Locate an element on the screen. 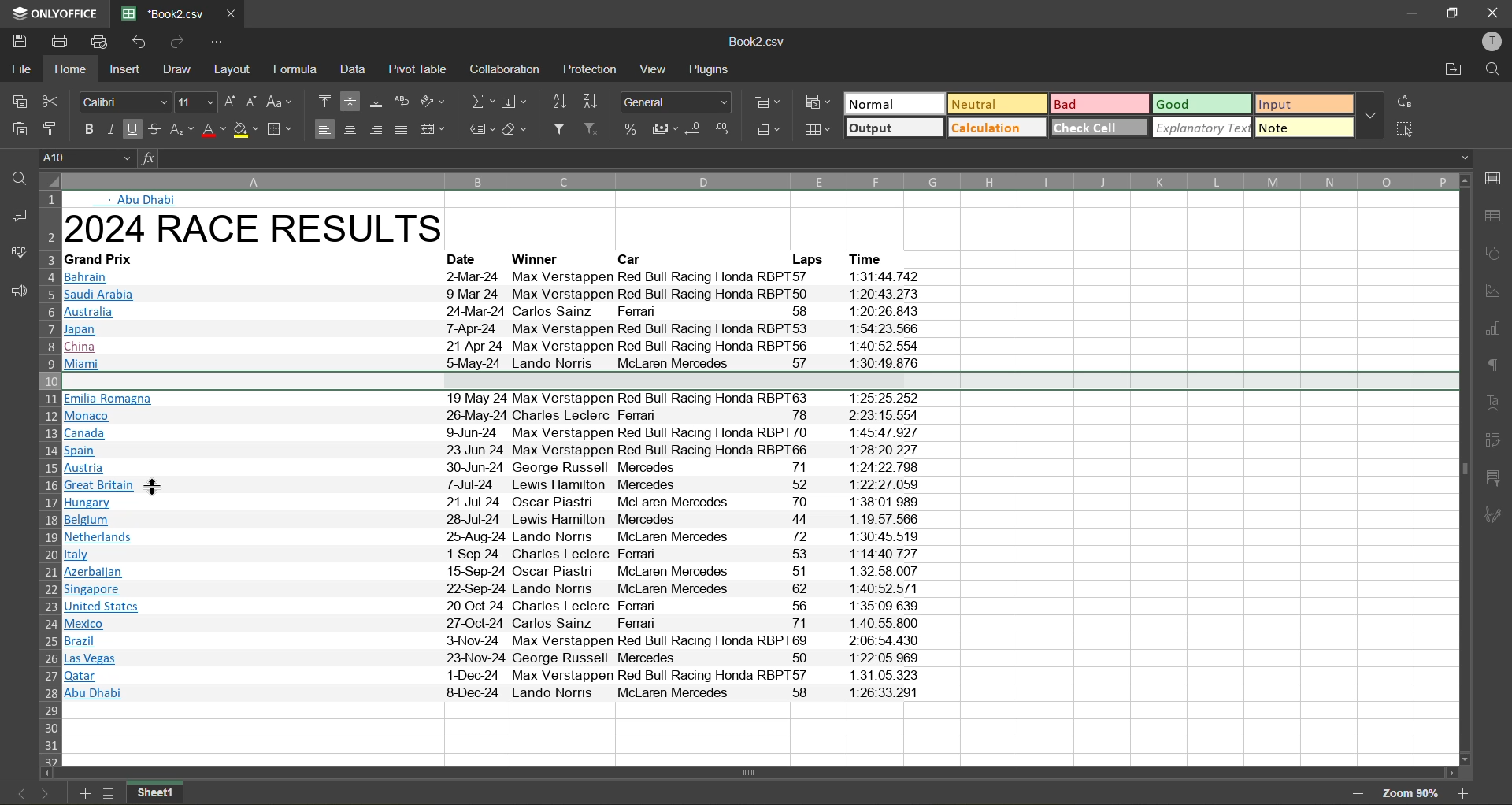 The image size is (1512, 805). copy is located at coordinates (17, 102).